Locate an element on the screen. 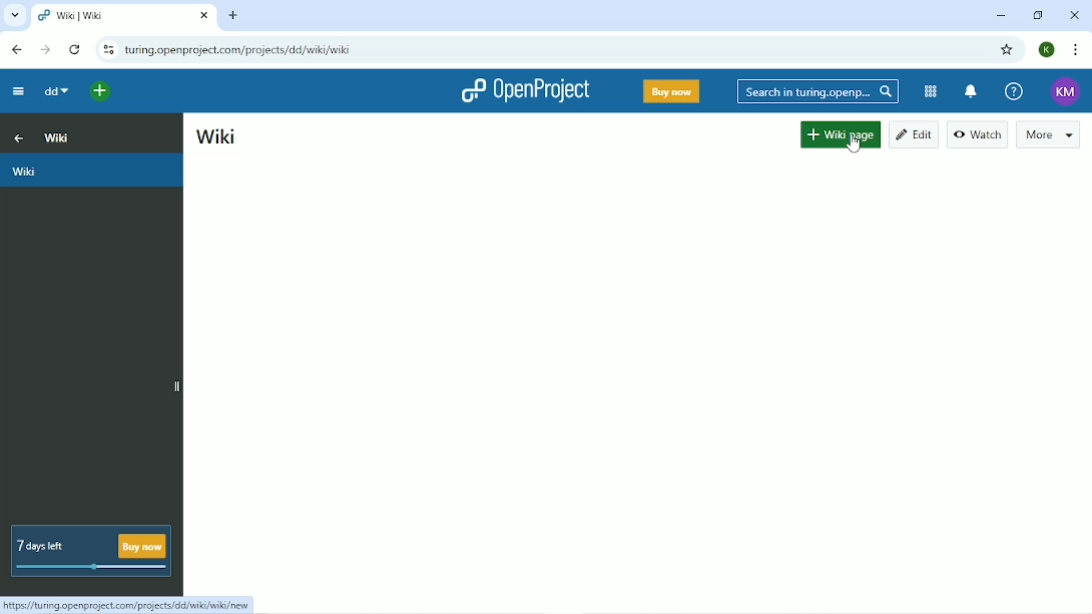 The width and height of the screenshot is (1092, 614). Wiki is located at coordinates (218, 138).